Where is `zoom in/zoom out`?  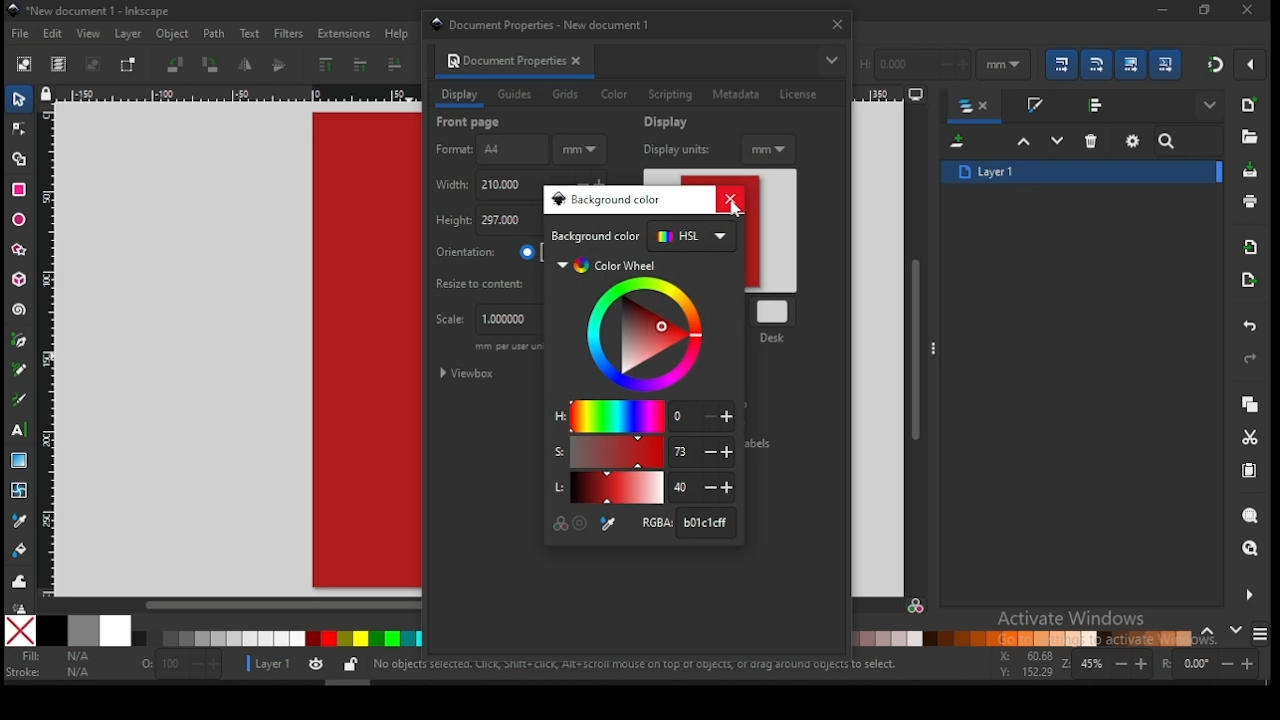
zoom in/zoom out is located at coordinates (1108, 664).